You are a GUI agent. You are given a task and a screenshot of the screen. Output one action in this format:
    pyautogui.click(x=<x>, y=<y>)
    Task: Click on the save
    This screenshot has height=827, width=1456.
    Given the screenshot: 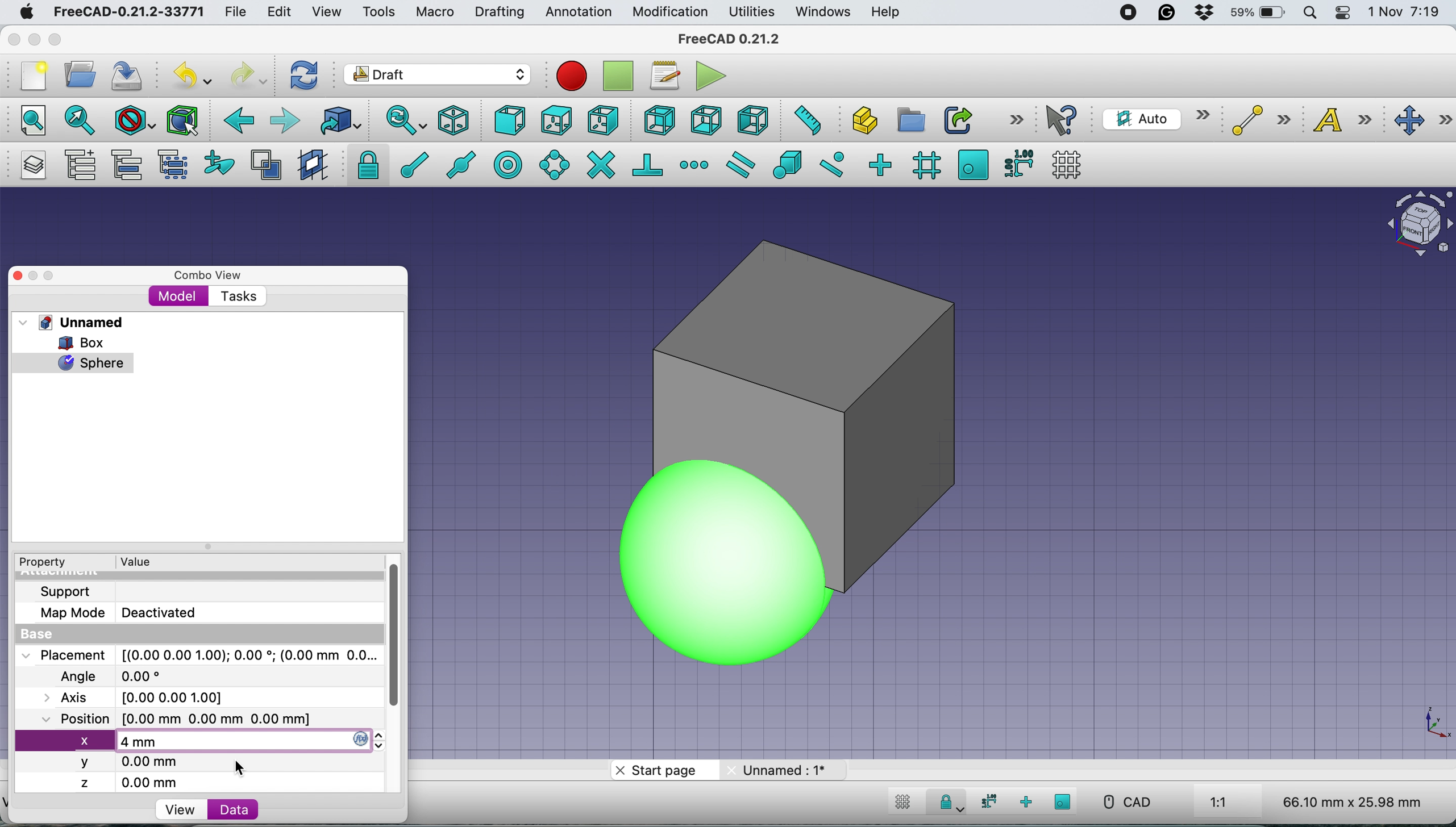 What is the action you would take?
    pyautogui.click(x=128, y=76)
    